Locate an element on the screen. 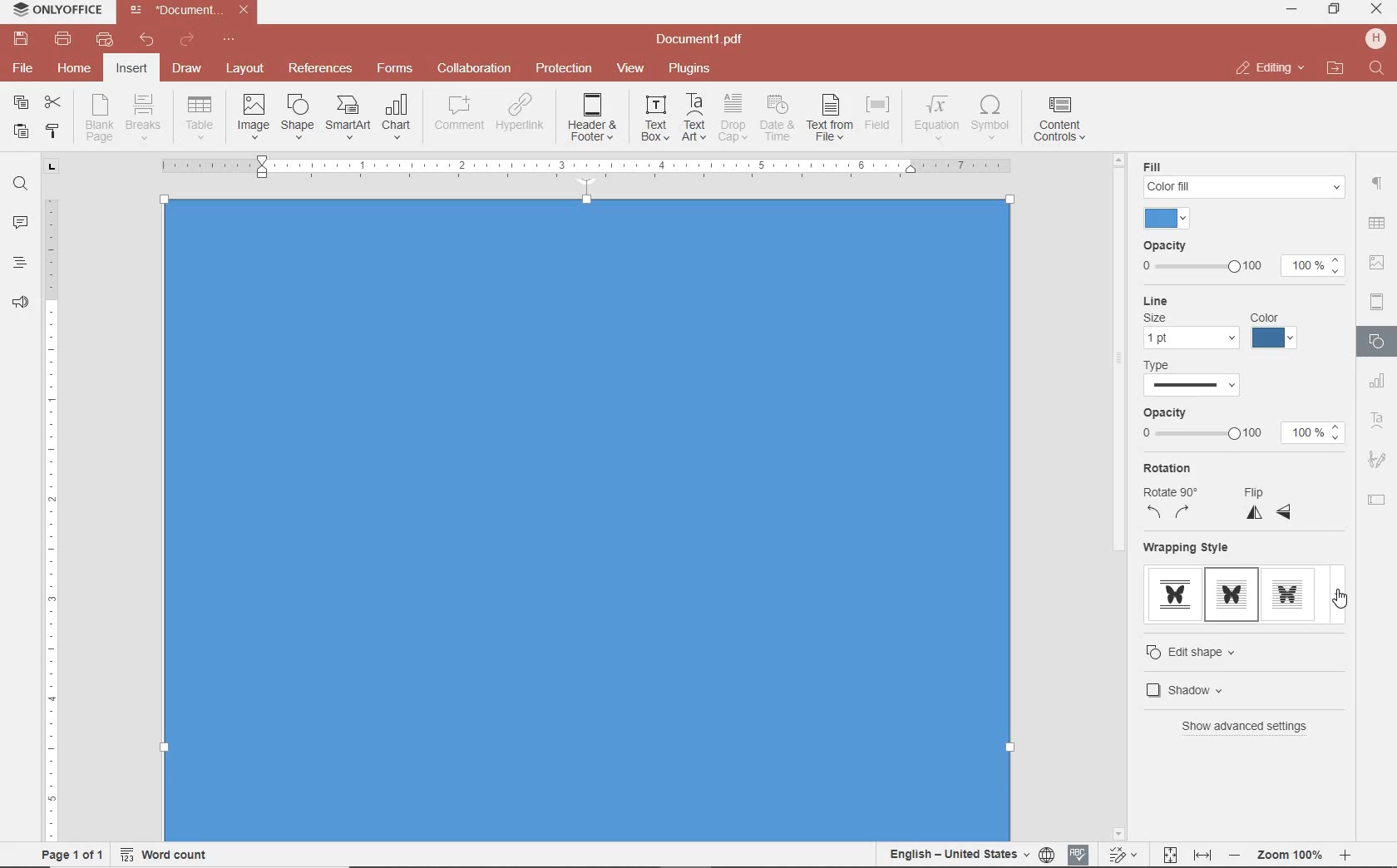  INSERT TEXT ART is located at coordinates (694, 118).